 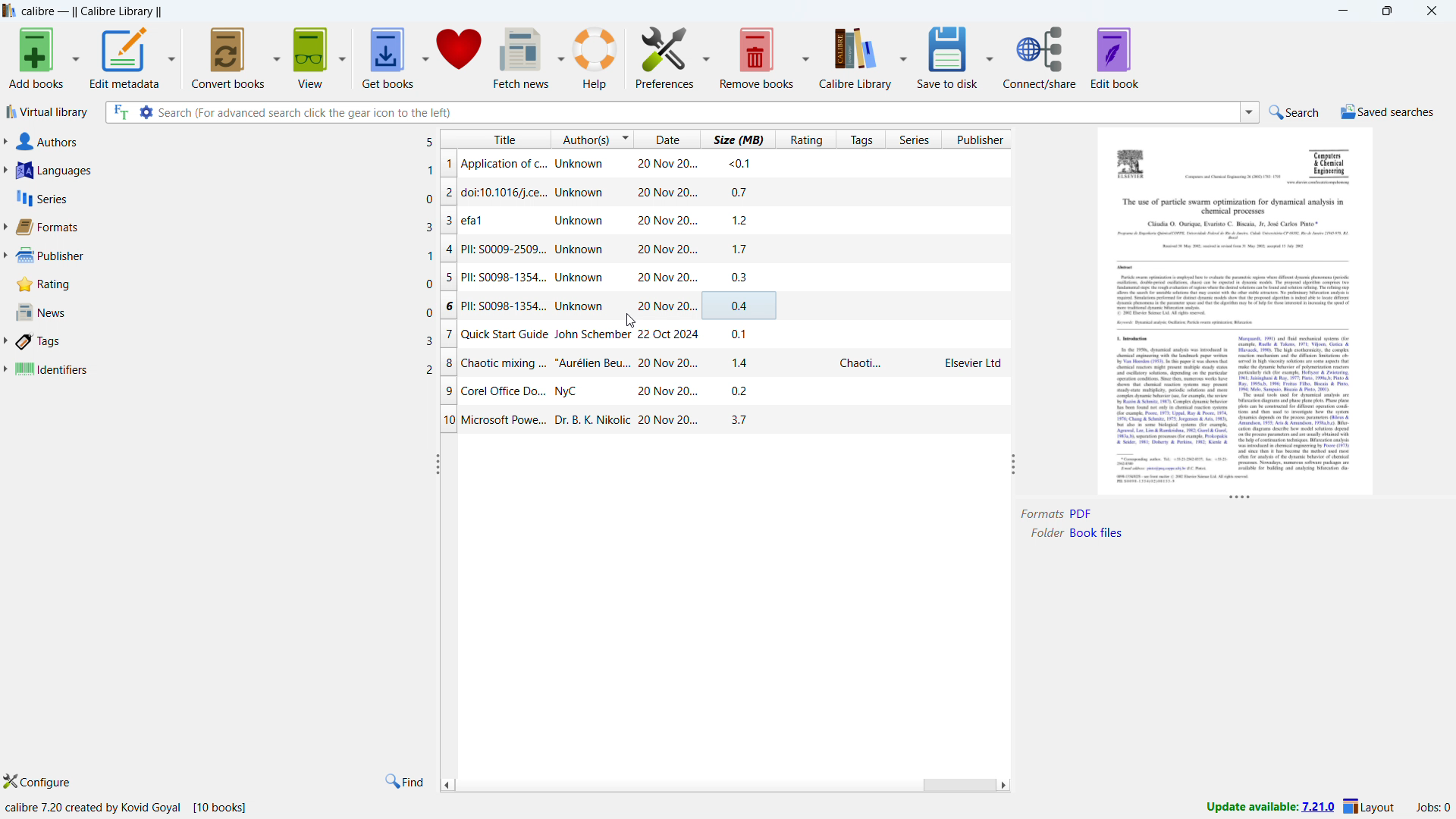 What do you see at coordinates (221, 141) in the screenshot?
I see `authors` at bounding box center [221, 141].